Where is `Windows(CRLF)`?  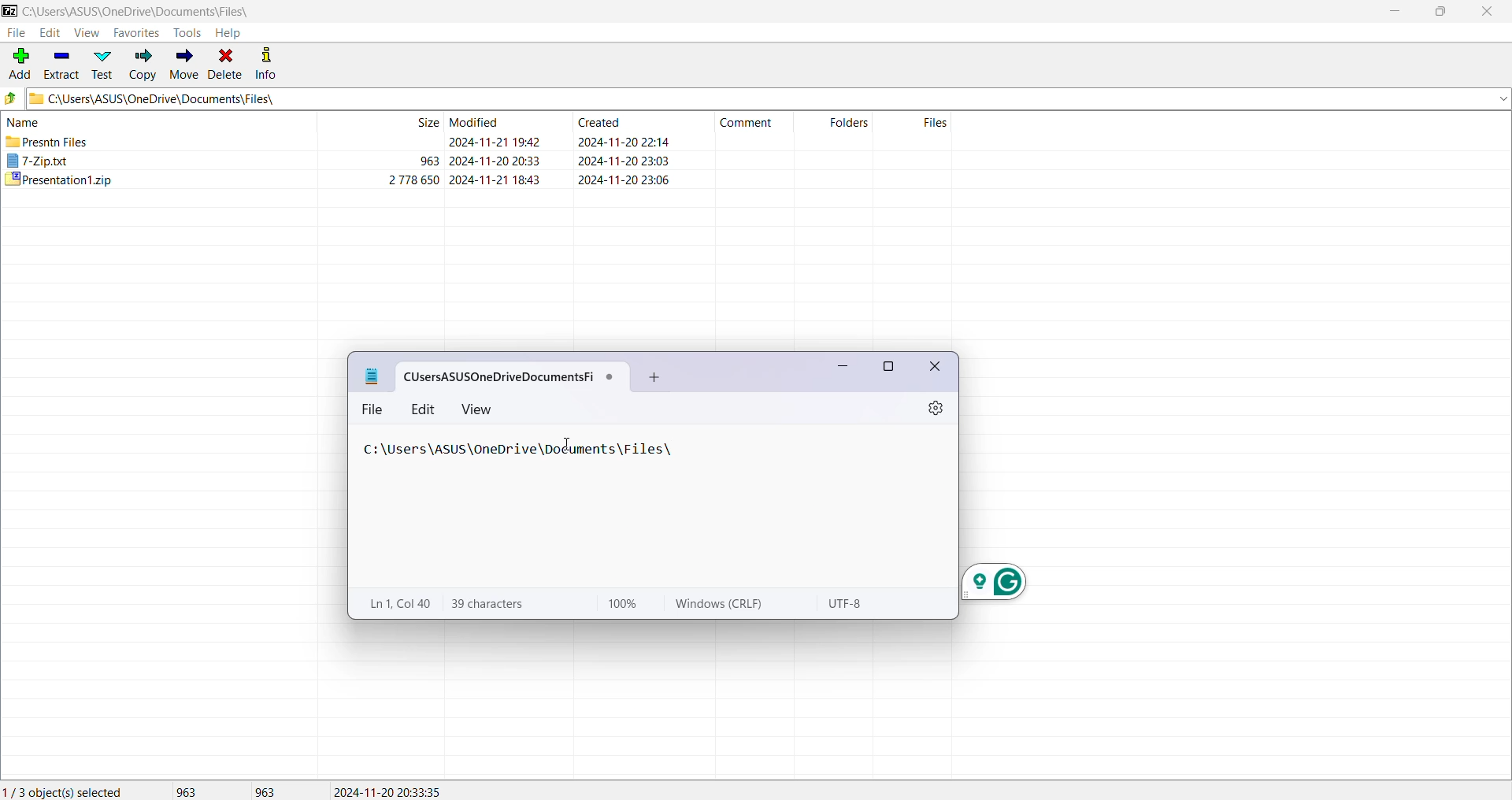
Windows(CRLF) is located at coordinates (718, 603).